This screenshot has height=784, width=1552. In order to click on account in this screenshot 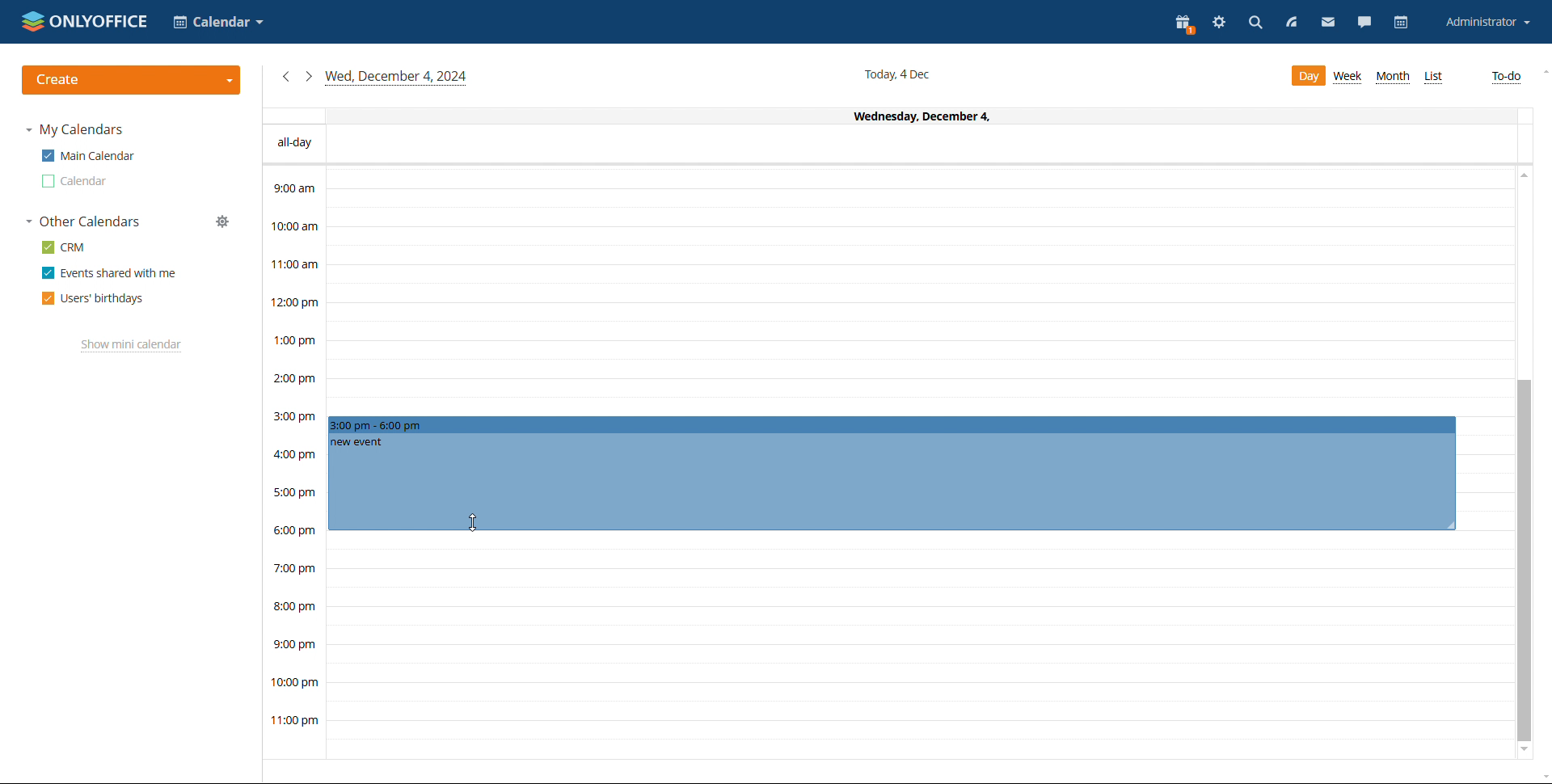, I will do `click(1487, 22)`.